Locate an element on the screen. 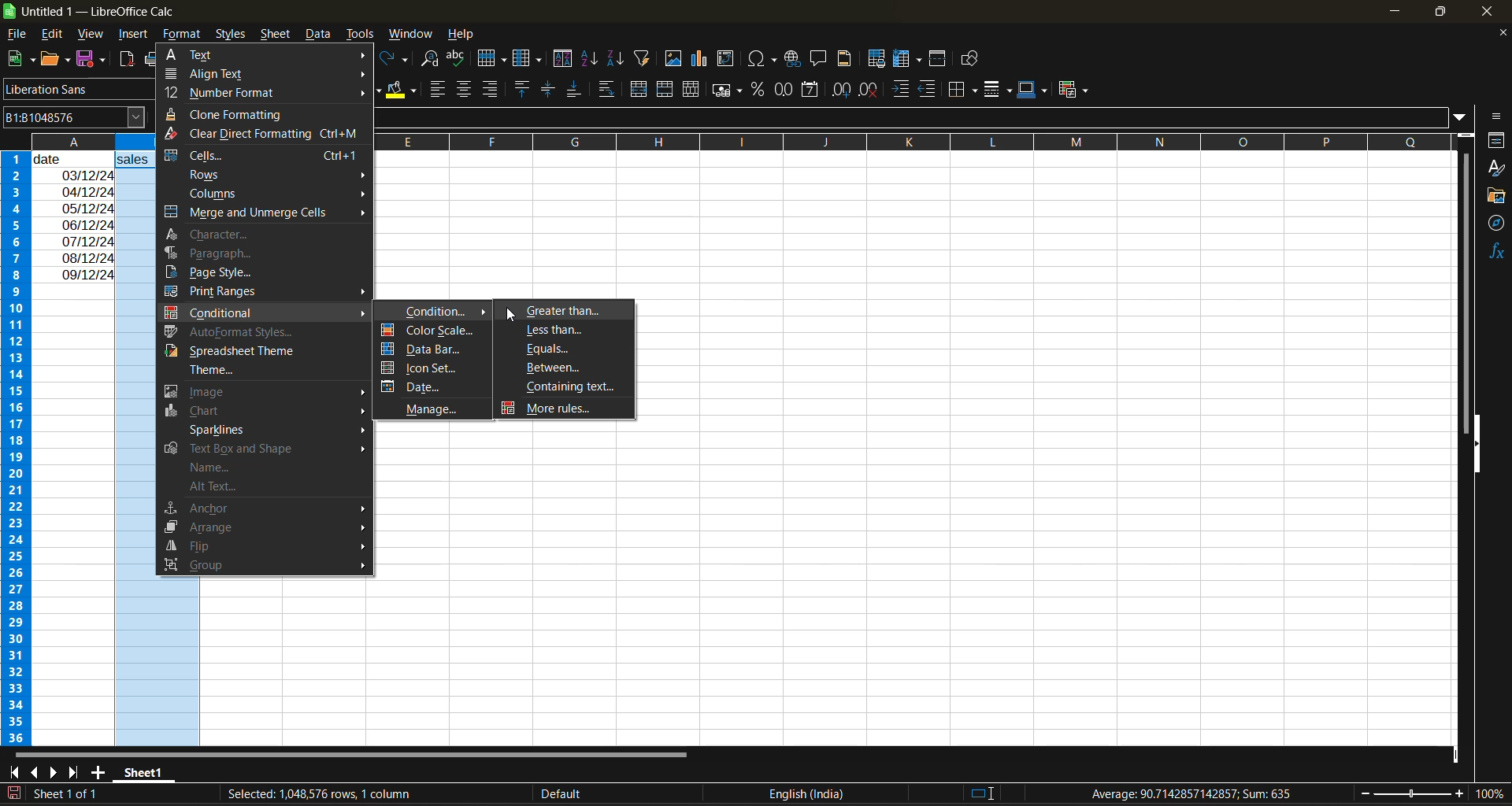 This screenshot has height=806, width=1512. edit is located at coordinates (55, 32).